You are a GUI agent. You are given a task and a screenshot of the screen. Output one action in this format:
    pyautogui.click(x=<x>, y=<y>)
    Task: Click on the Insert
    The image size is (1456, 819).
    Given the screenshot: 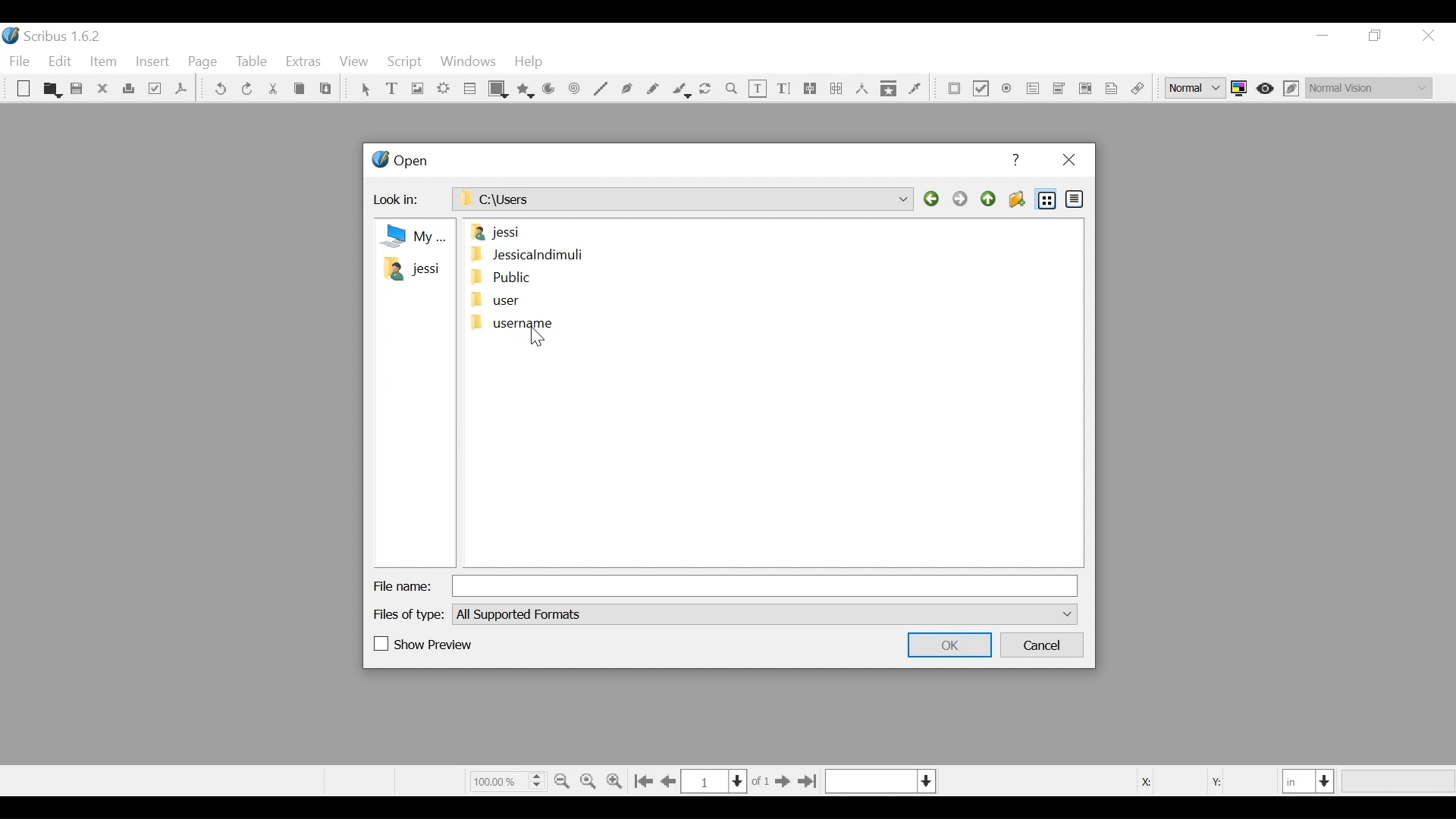 What is the action you would take?
    pyautogui.click(x=153, y=64)
    